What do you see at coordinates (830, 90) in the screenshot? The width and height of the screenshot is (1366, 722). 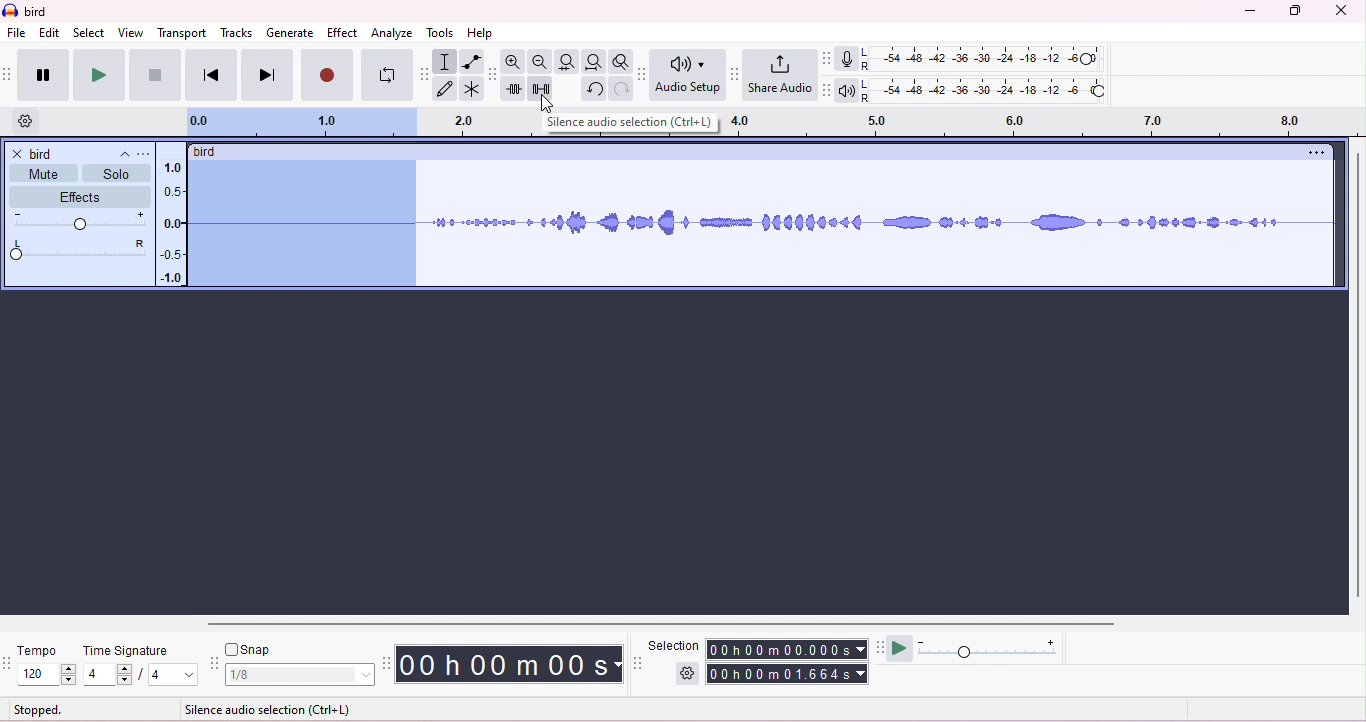 I see `playback meter tool bar` at bounding box center [830, 90].